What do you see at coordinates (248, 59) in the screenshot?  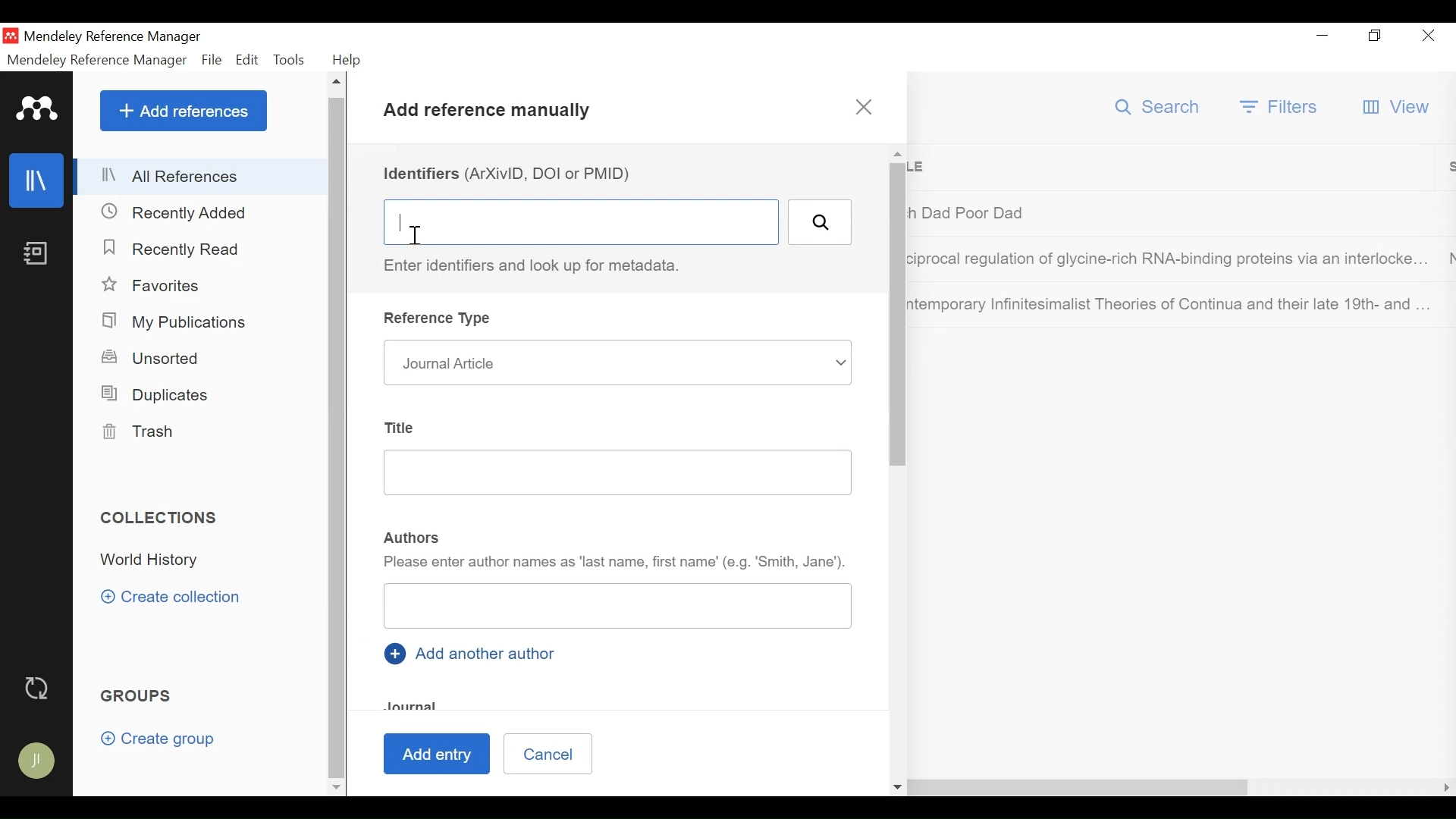 I see `Edit` at bounding box center [248, 59].